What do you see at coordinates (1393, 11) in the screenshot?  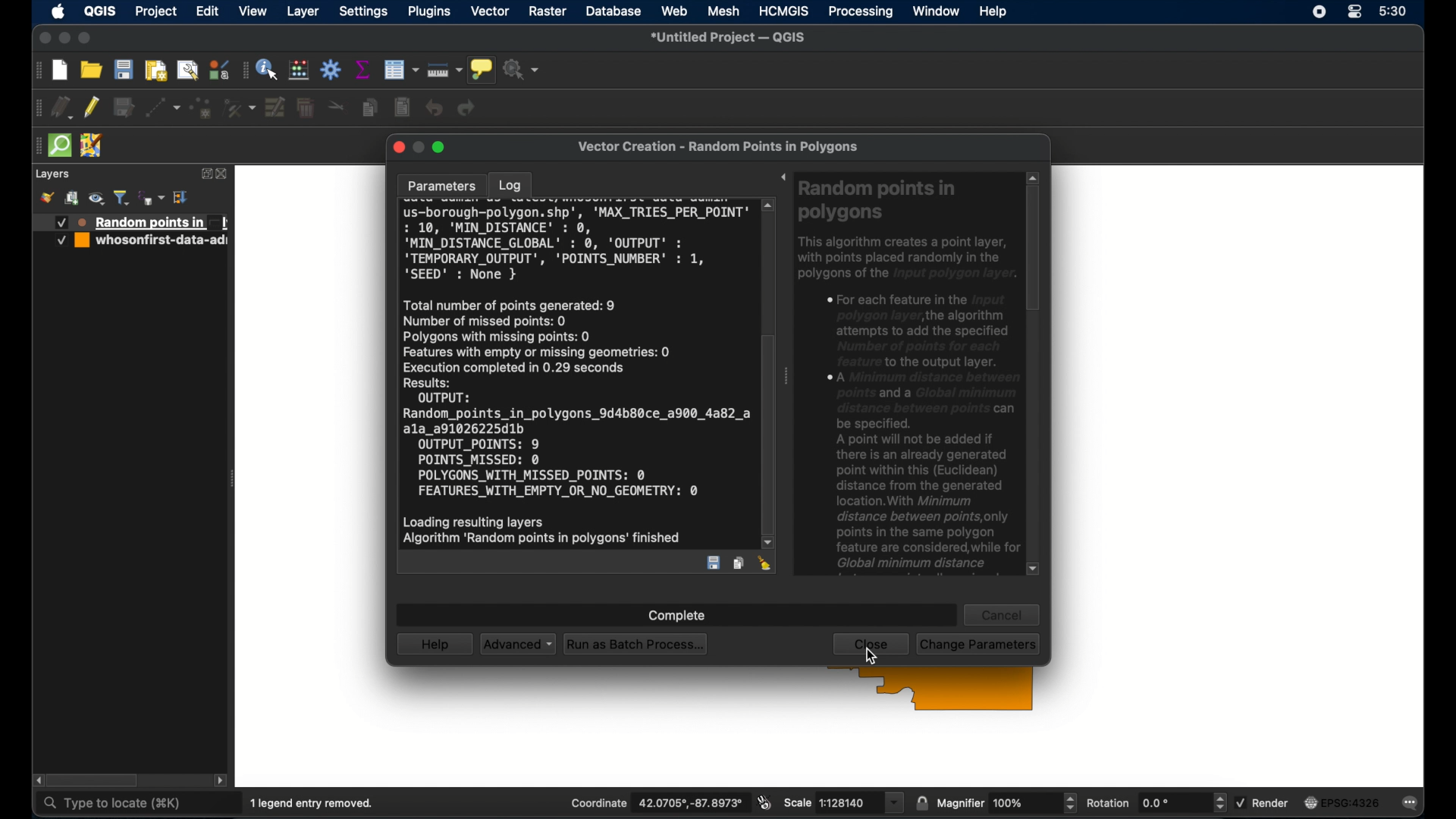 I see `time` at bounding box center [1393, 11].